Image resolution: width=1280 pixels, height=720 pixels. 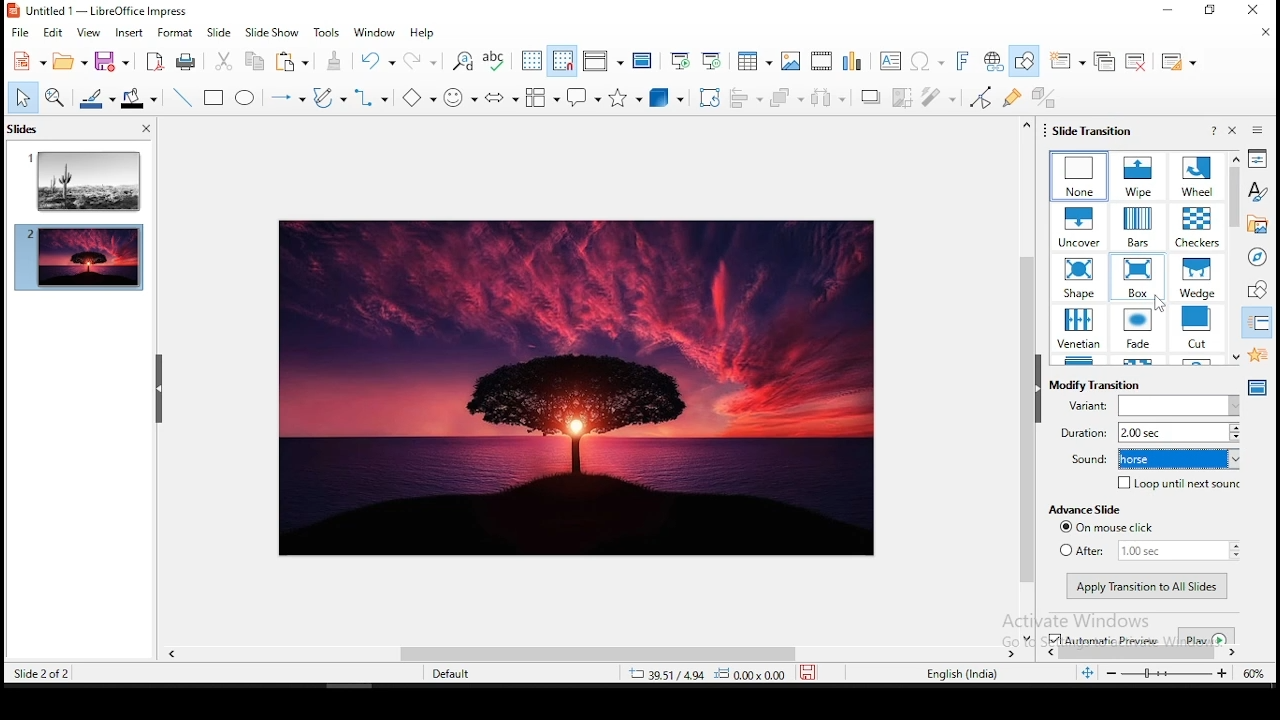 What do you see at coordinates (146, 128) in the screenshot?
I see `close` at bounding box center [146, 128].